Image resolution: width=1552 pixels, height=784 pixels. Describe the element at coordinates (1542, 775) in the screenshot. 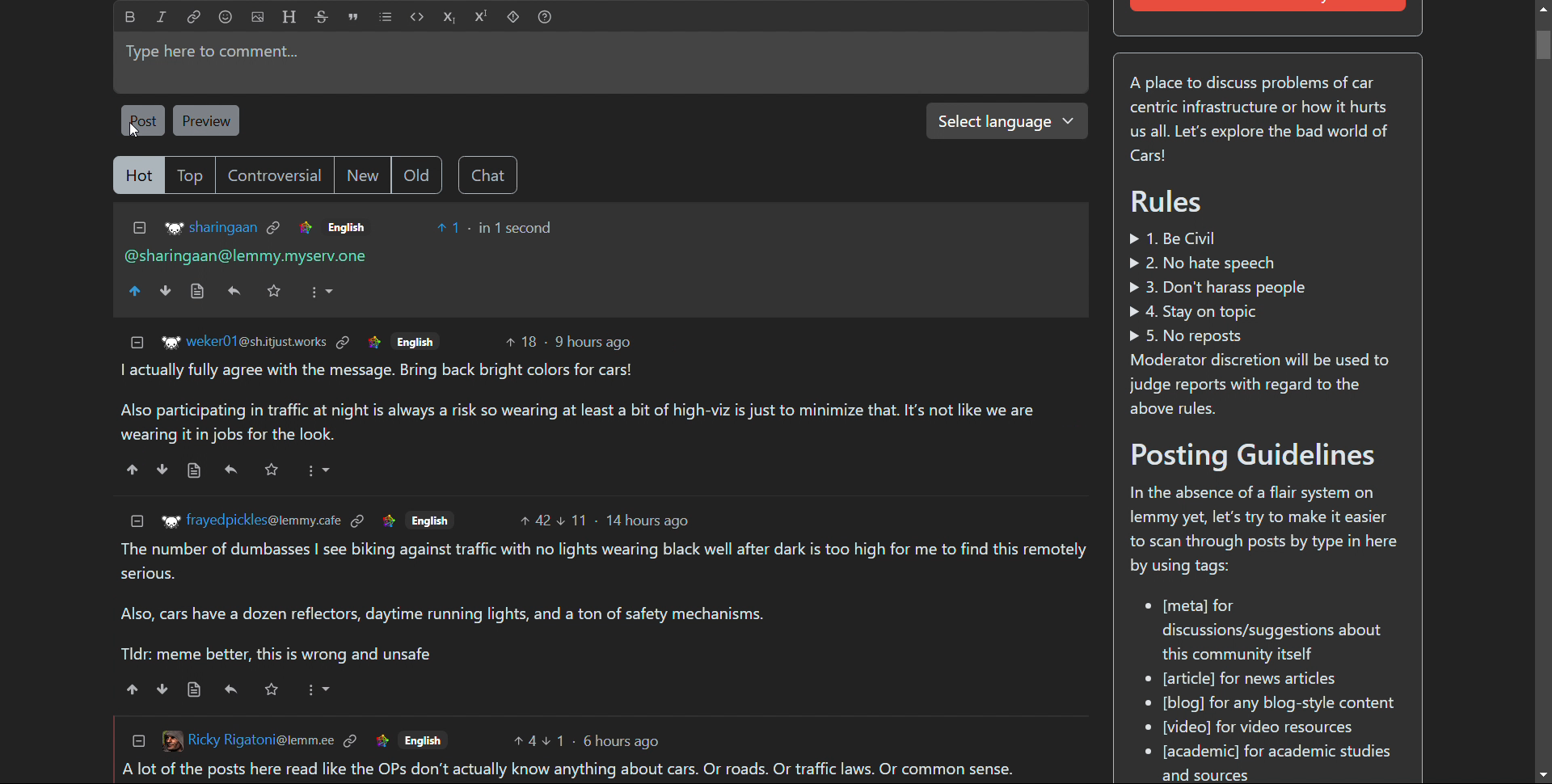

I see `scroll down` at that location.